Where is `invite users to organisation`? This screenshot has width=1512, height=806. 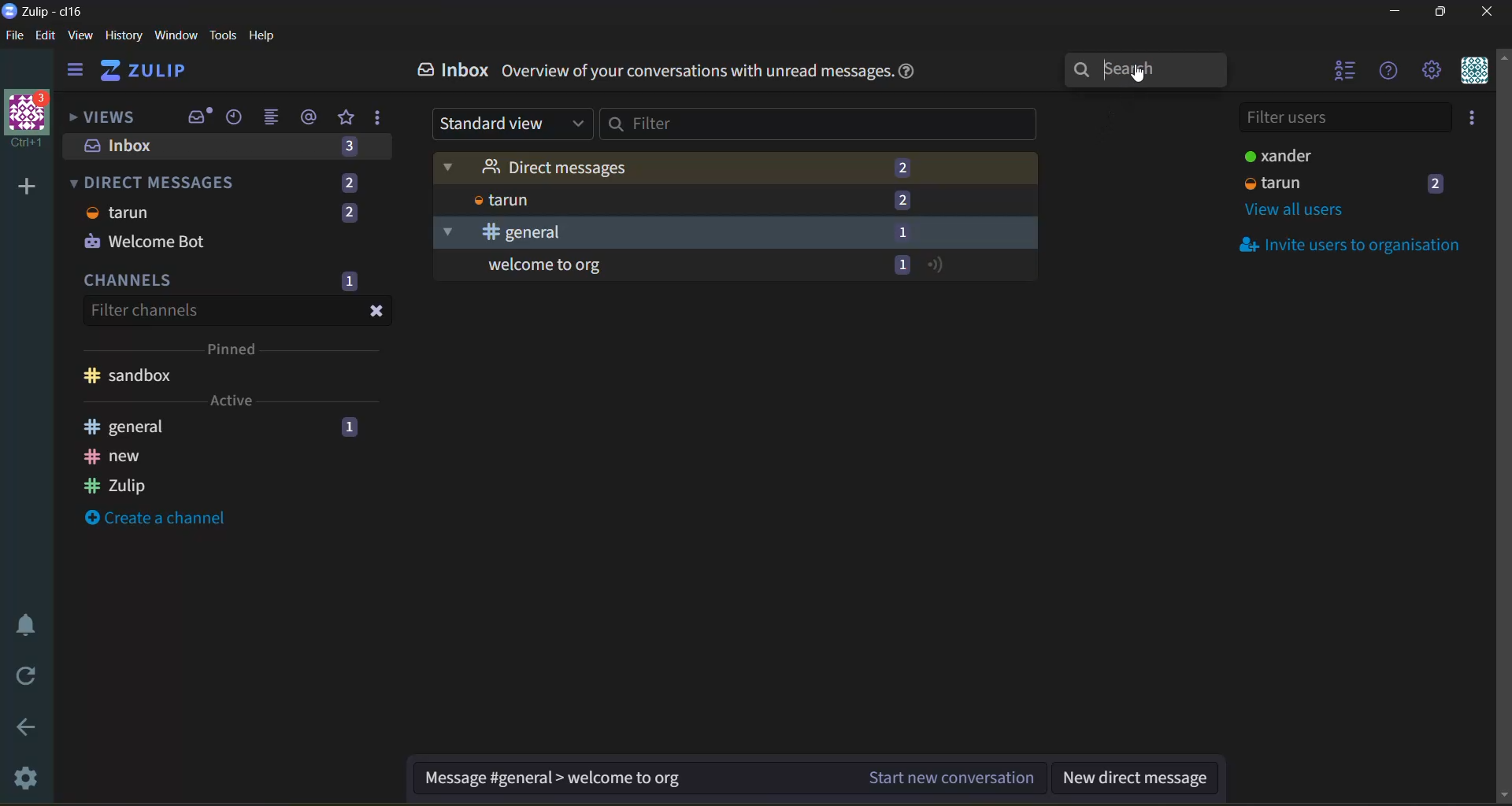 invite users to organisation is located at coordinates (1473, 117).